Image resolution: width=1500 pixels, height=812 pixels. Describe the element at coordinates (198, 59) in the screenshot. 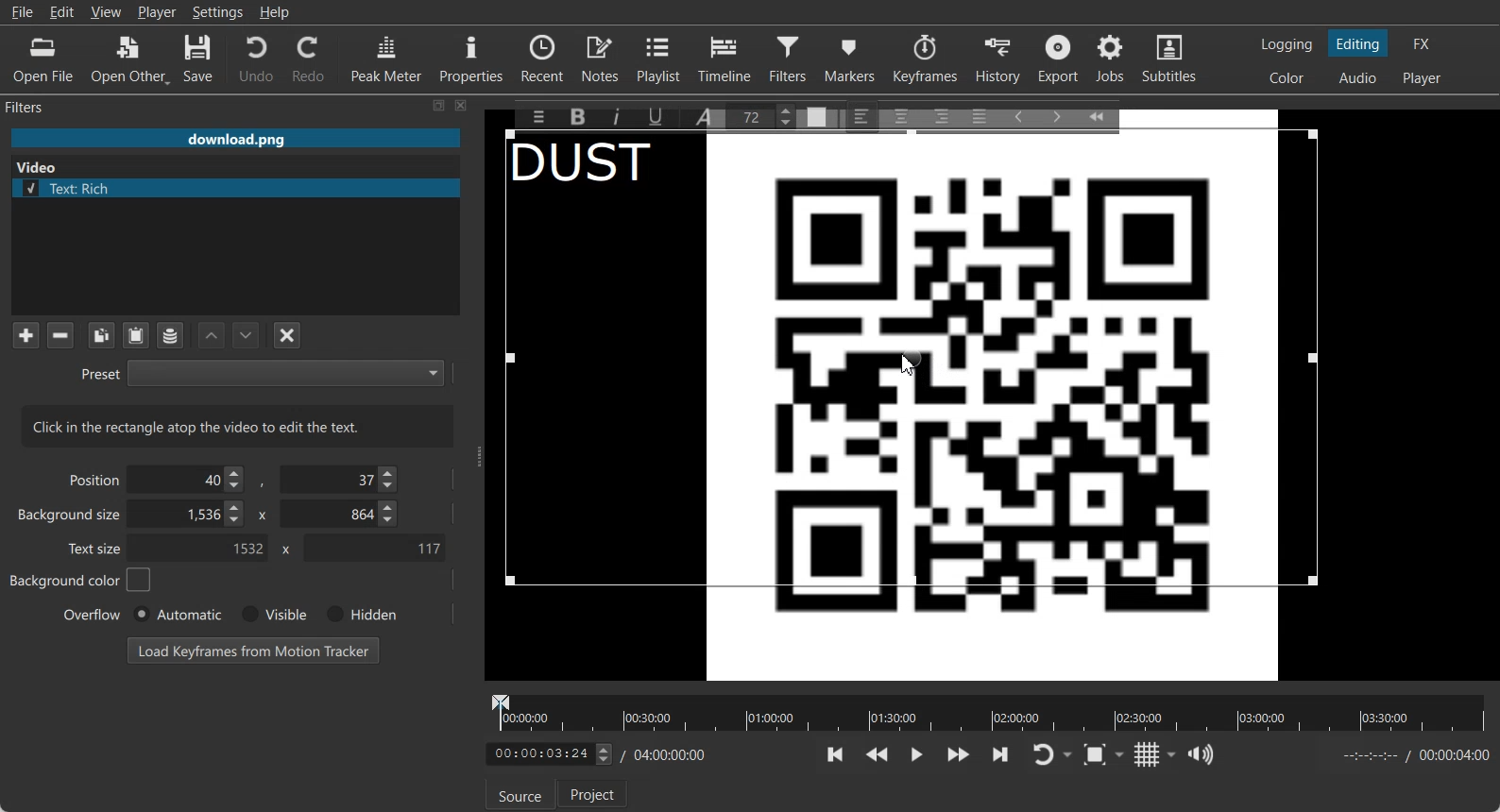

I see `Save` at that location.